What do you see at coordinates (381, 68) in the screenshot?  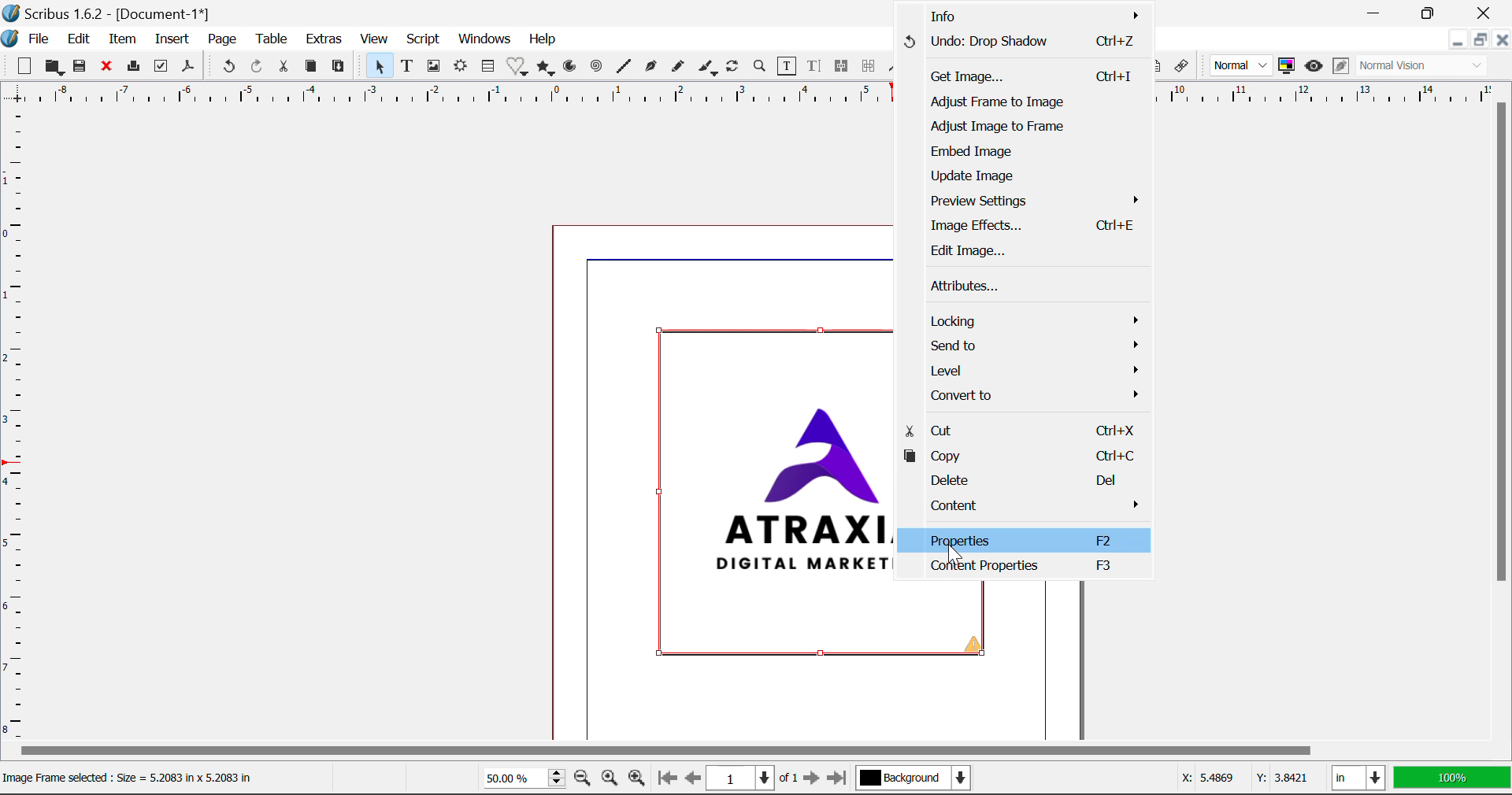 I see `Select` at bounding box center [381, 68].